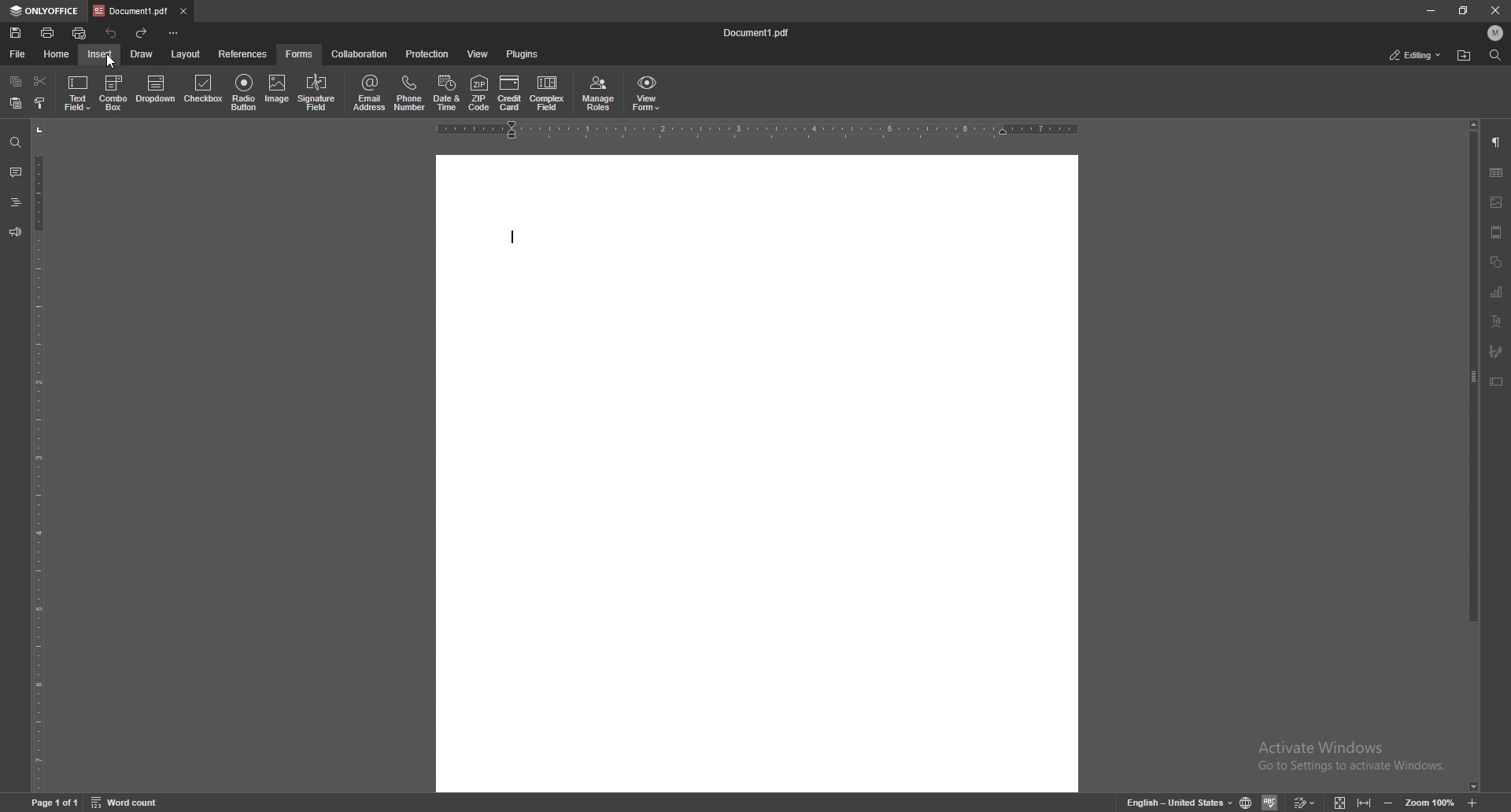 The width and height of the screenshot is (1511, 812). Describe the element at coordinates (1494, 9) in the screenshot. I see `close` at that location.